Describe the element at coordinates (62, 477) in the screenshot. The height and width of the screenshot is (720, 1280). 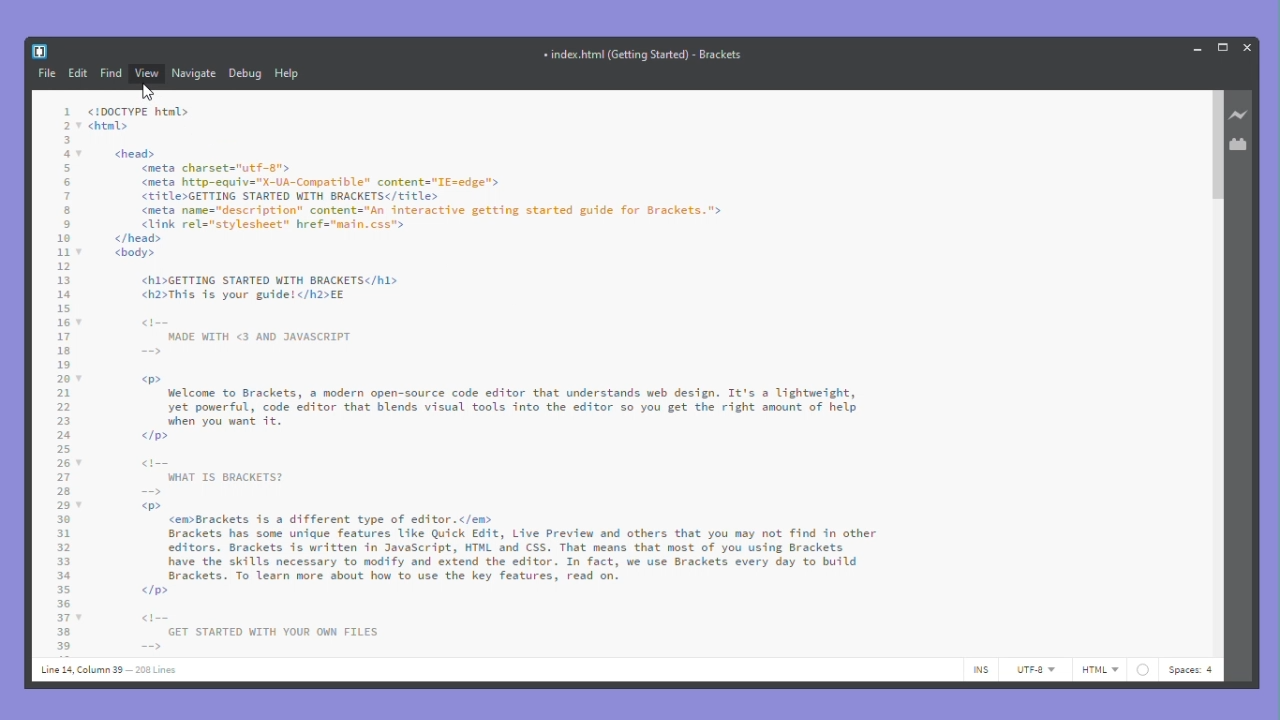
I see `27` at that location.